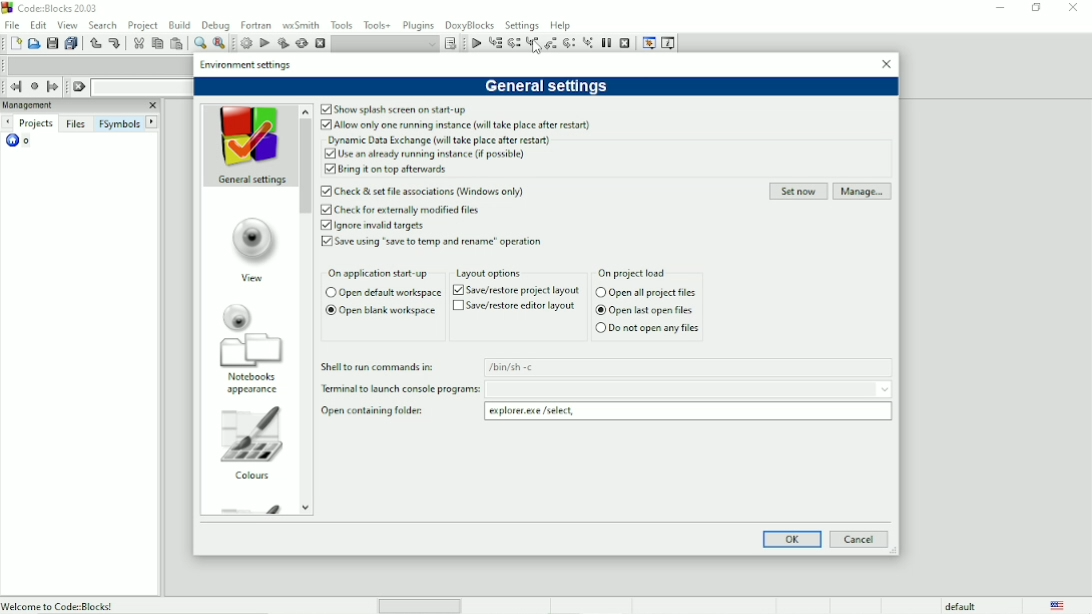  I want to click on Clear, so click(79, 87).